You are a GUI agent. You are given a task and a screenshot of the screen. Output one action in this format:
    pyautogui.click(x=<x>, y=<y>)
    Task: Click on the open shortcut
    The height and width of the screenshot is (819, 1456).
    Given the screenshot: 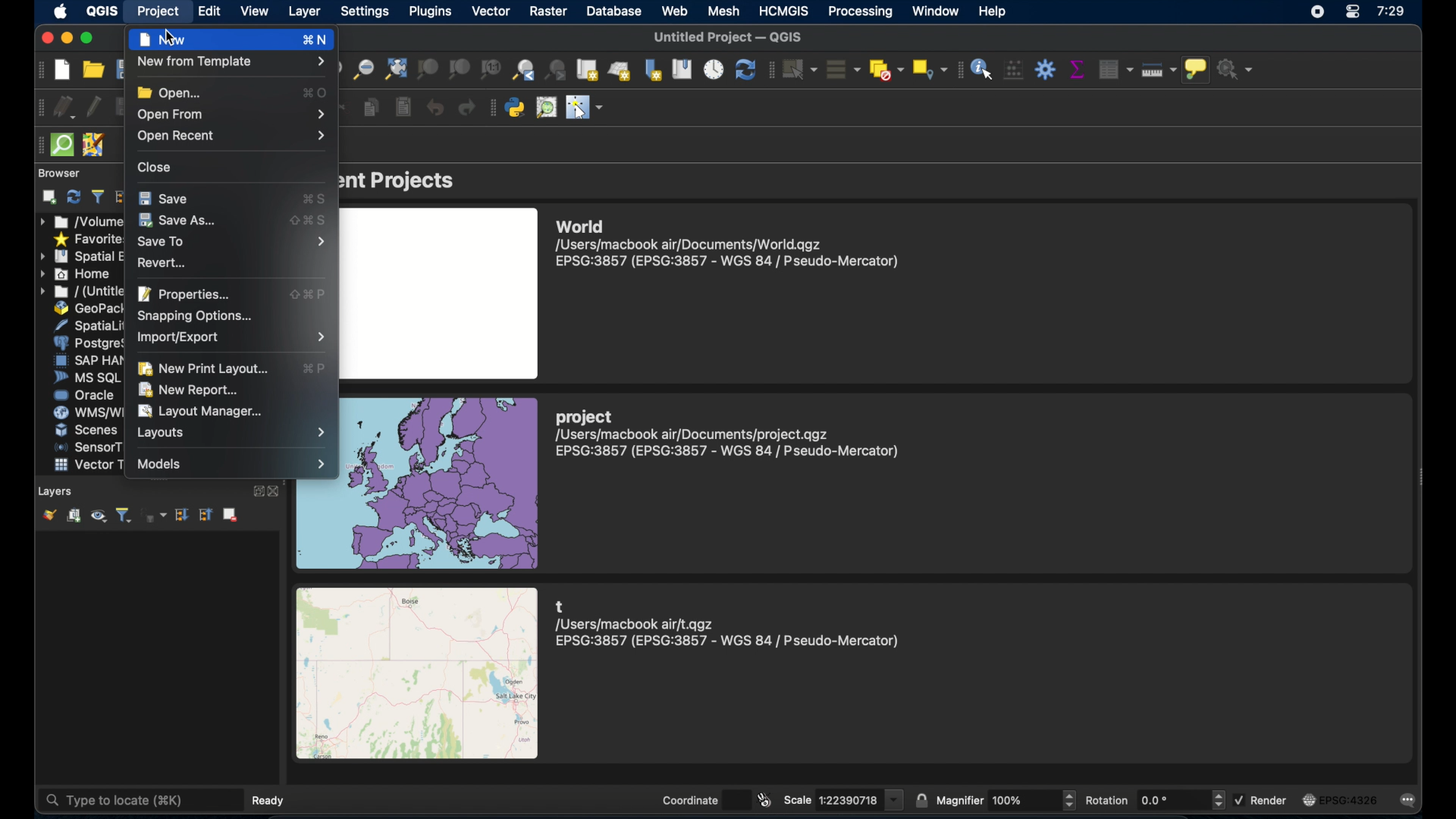 What is the action you would take?
    pyautogui.click(x=315, y=92)
    